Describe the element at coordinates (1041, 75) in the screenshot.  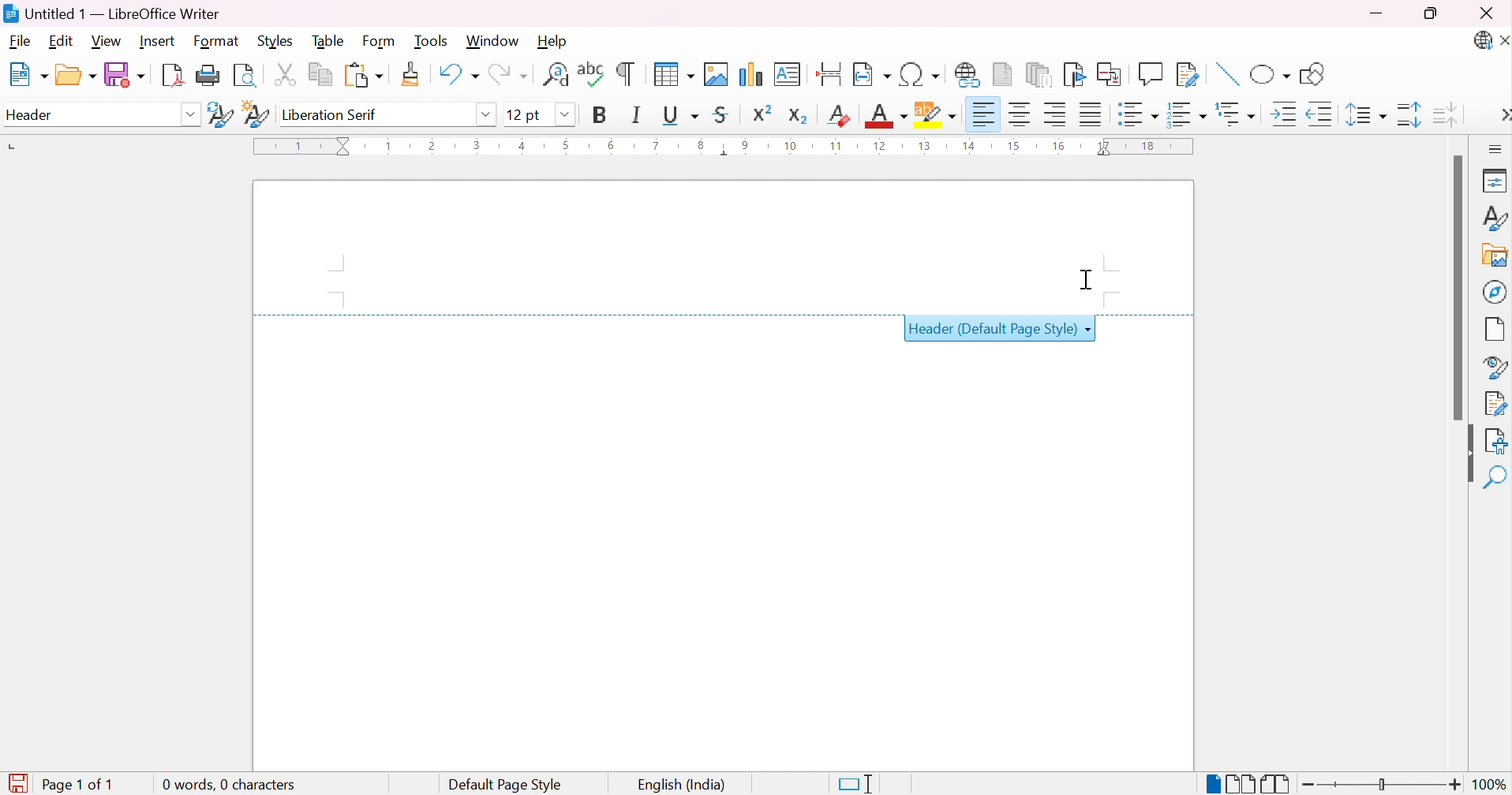
I see `Insert endnote` at that location.